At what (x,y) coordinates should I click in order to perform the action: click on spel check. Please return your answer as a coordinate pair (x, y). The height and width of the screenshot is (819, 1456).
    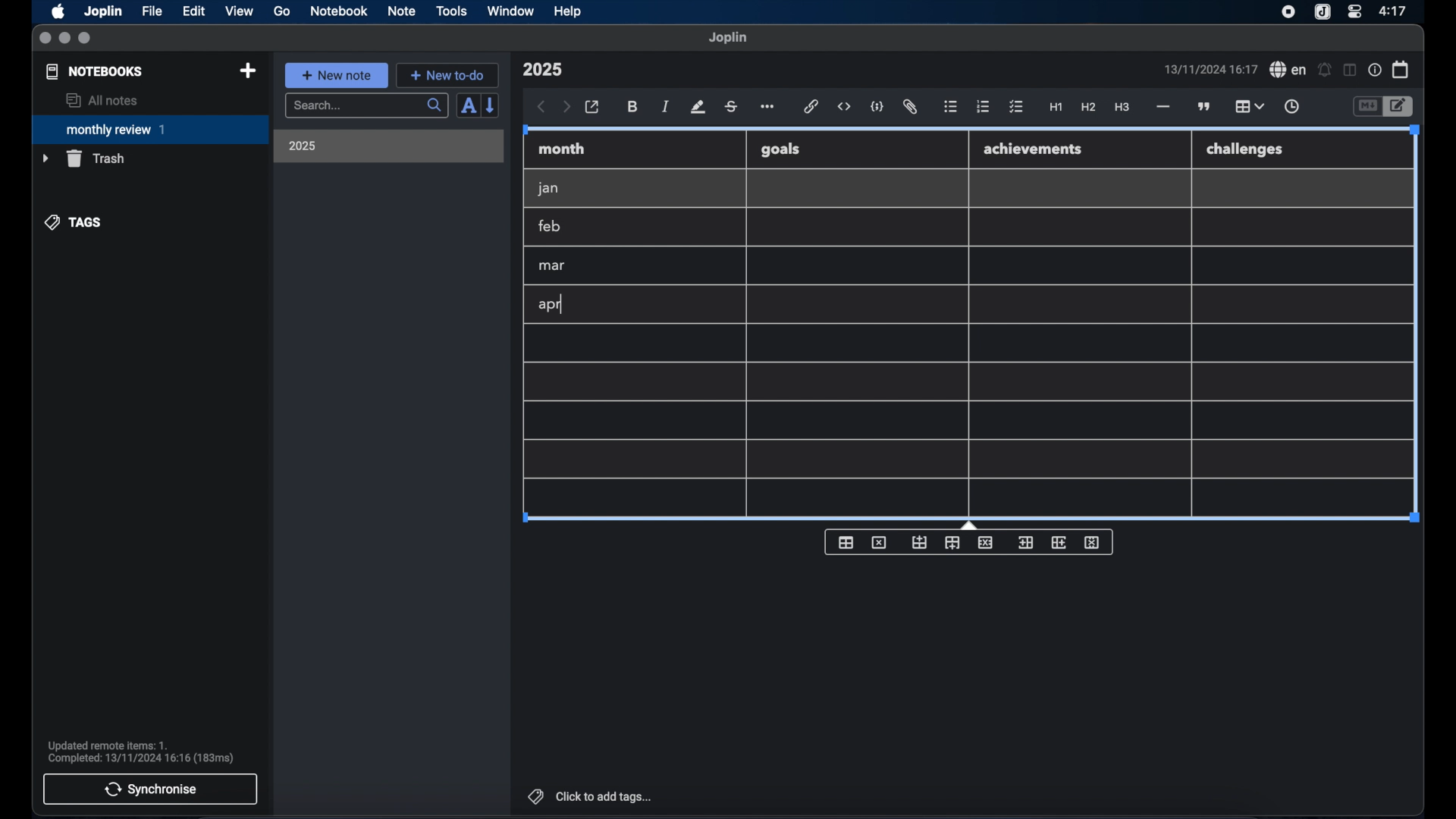
    Looking at the image, I should click on (1288, 70).